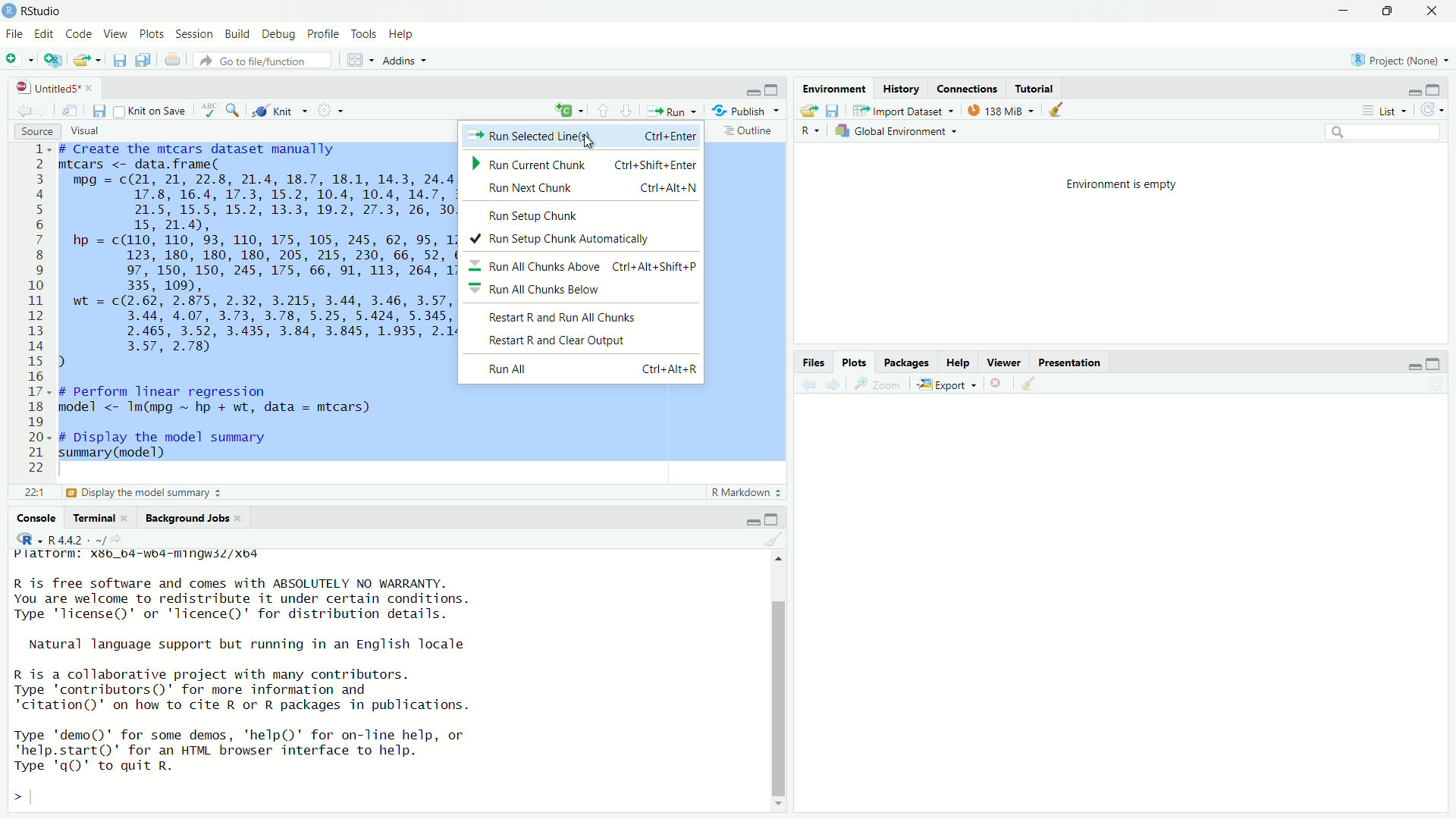 The height and width of the screenshot is (819, 1456). What do you see at coordinates (96, 519) in the screenshot?
I see `Terminal` at bounding box center [96, 519].